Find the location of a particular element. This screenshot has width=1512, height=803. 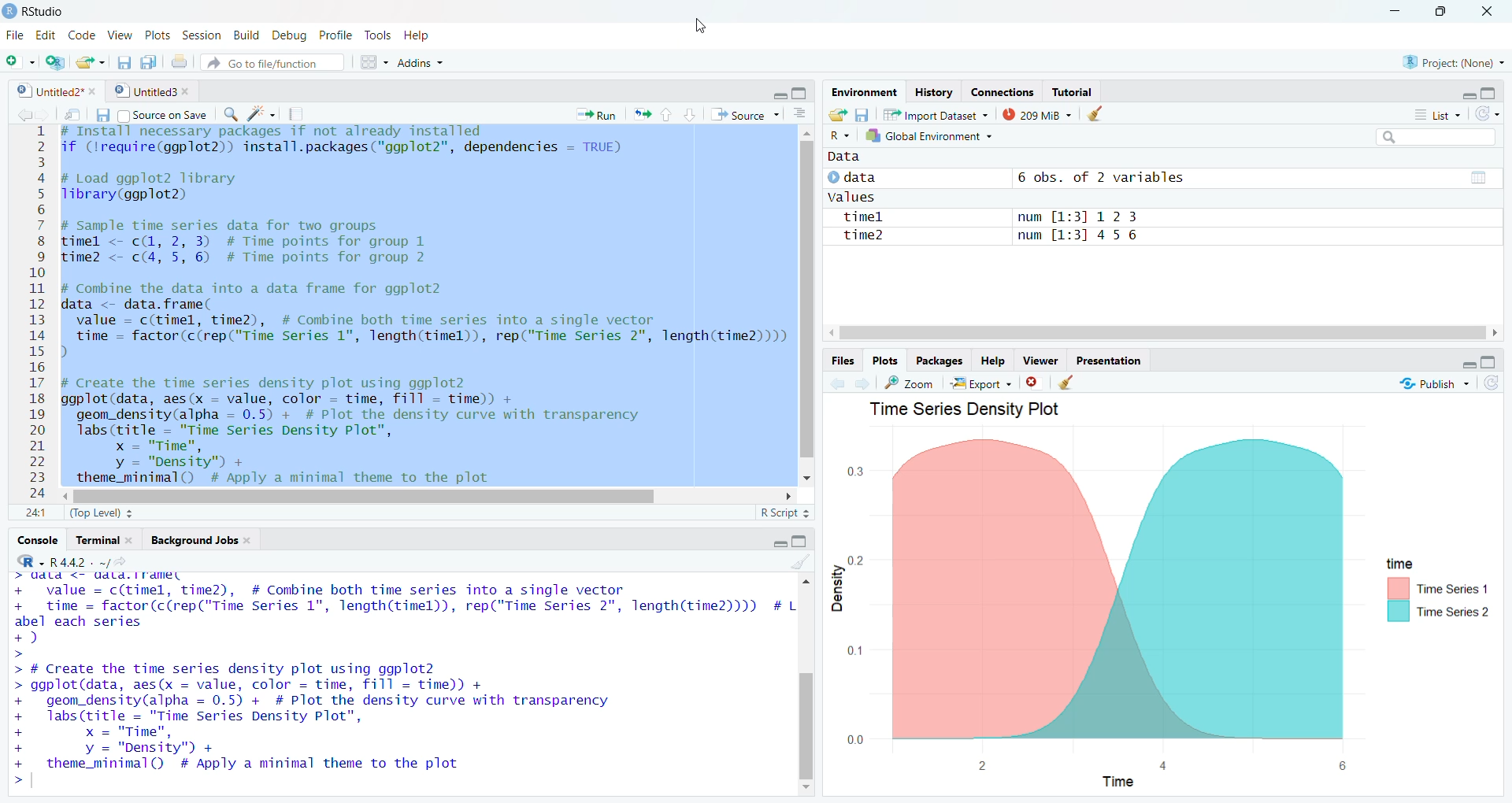

Source on Save is located at coordinates (161, 116).